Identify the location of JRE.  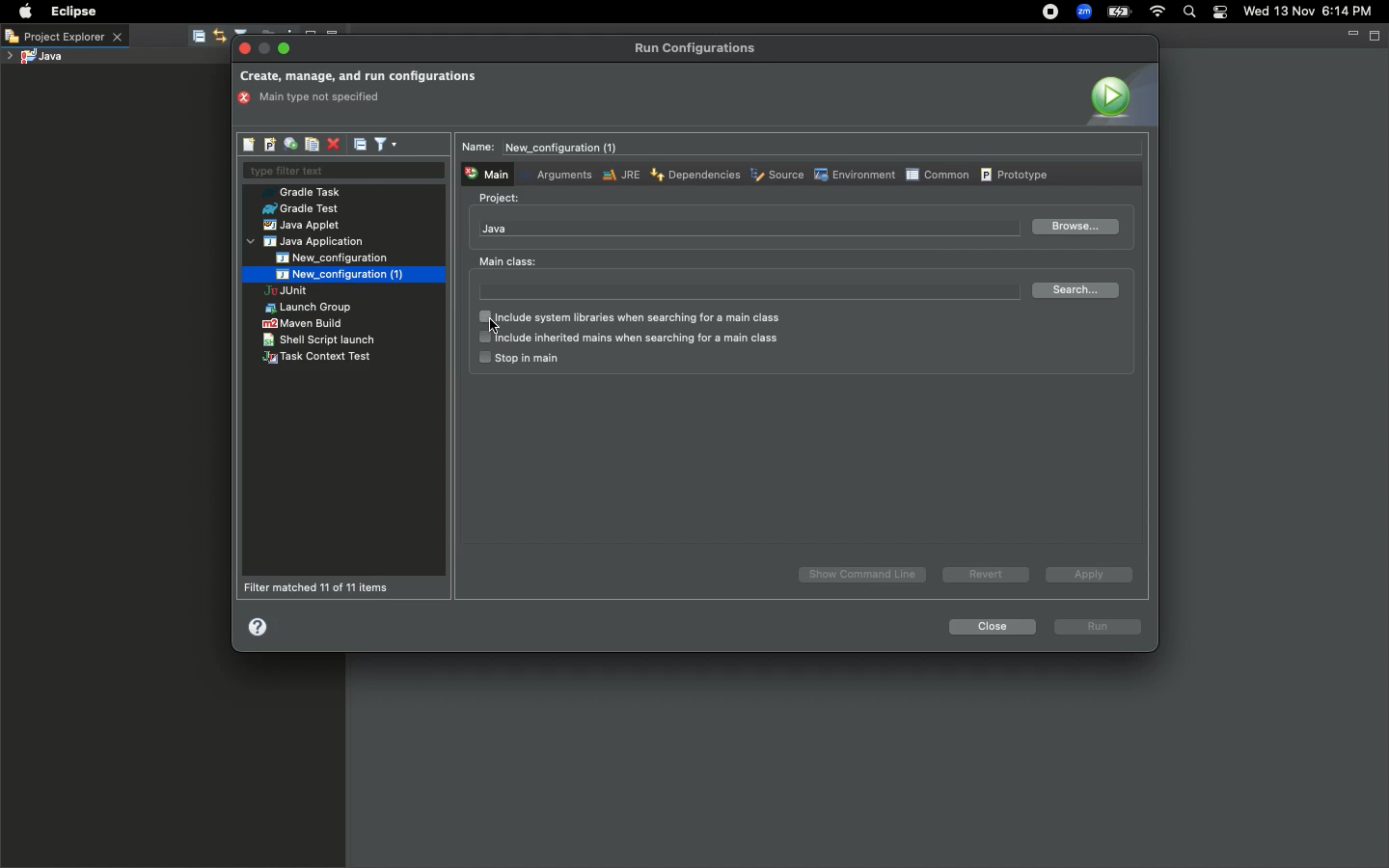
(619, 175).